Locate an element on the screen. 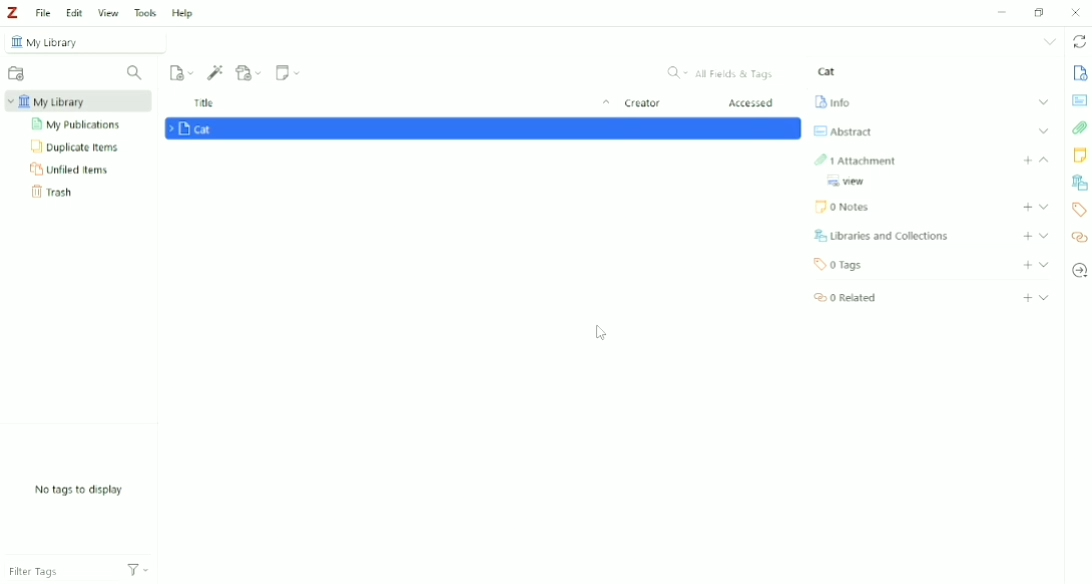 The width and height of the screenshot is (1092, 584). Notes is located at coordinates (1080, 155).